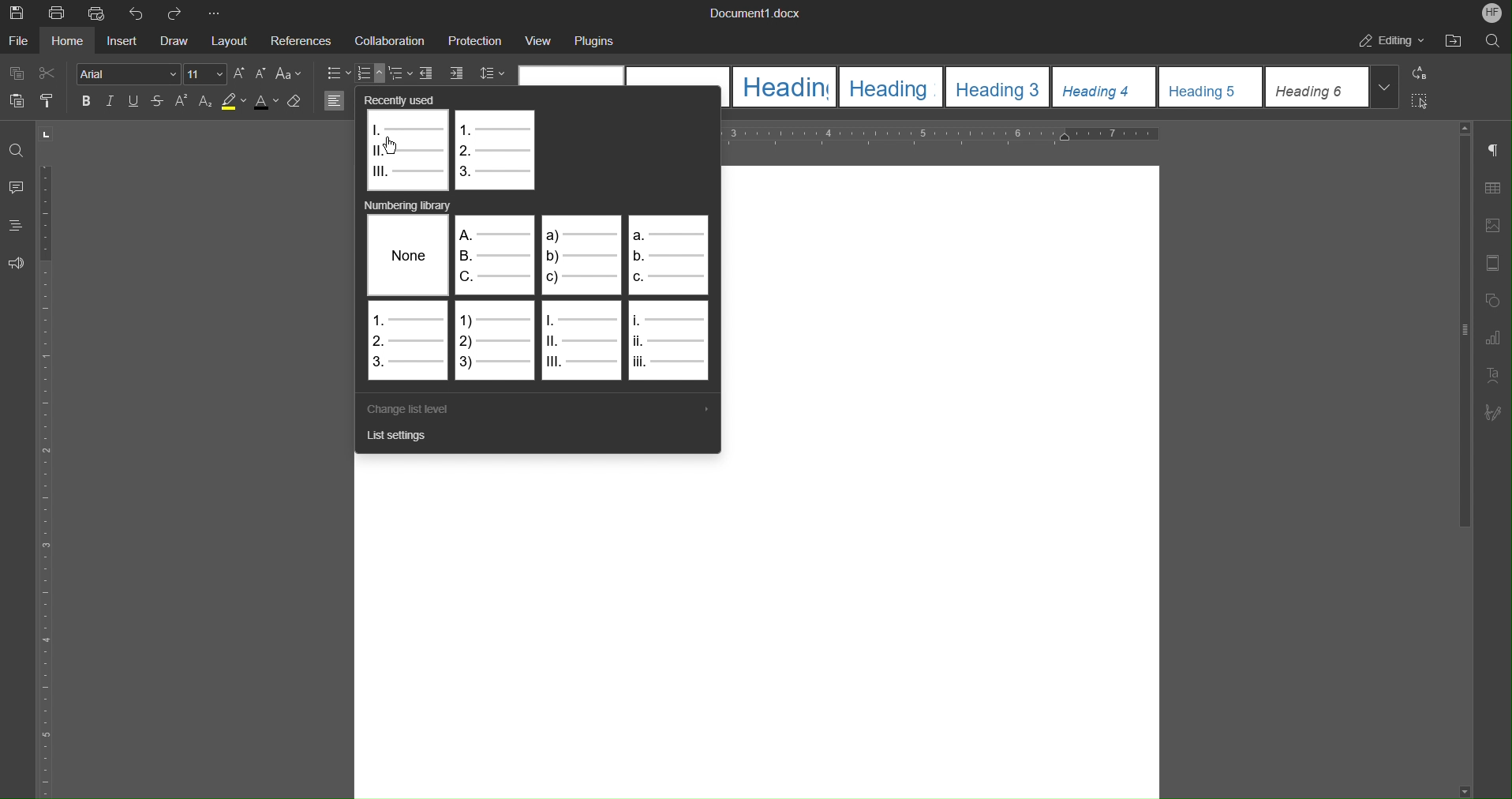  What do you see at coordinates (182, 102) in the screenshot?
I see `Superscript` at bounding box center [182, 102].